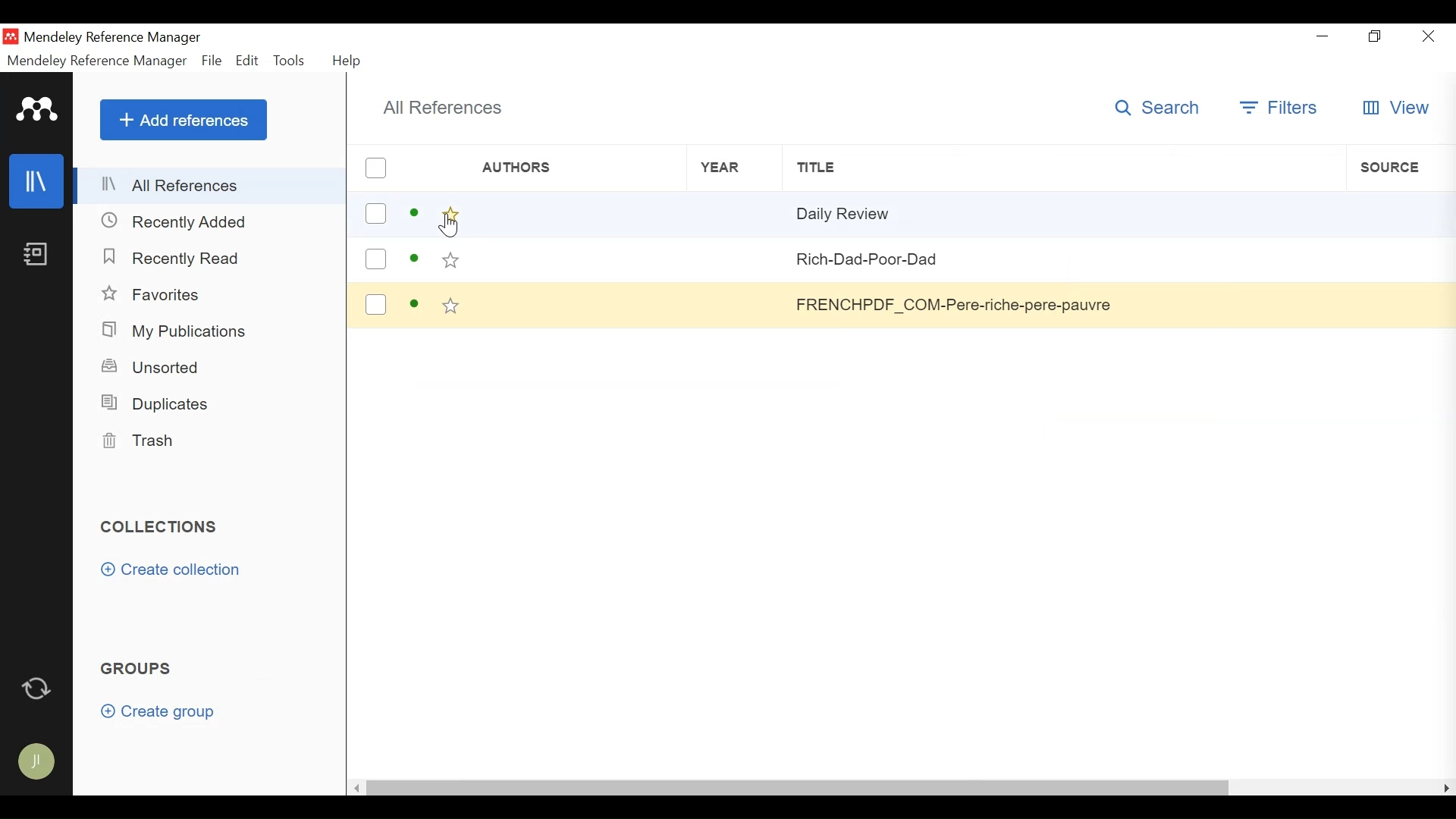 This screenshot has height=819, width=1456. I want to click on Unread, so click(415, 259).